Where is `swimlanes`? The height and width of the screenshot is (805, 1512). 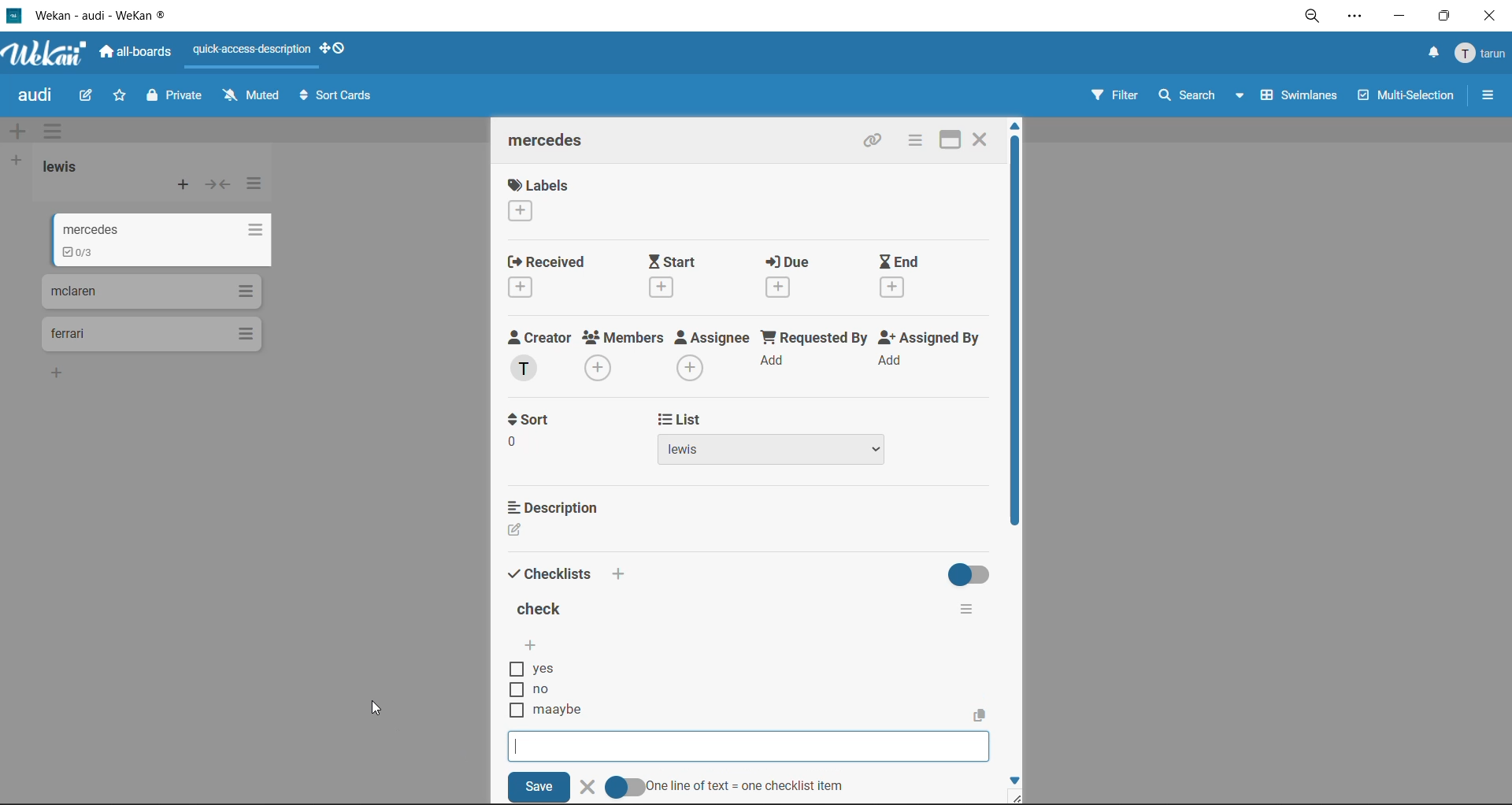 swimlanes is located at coordinates (1302, 98).